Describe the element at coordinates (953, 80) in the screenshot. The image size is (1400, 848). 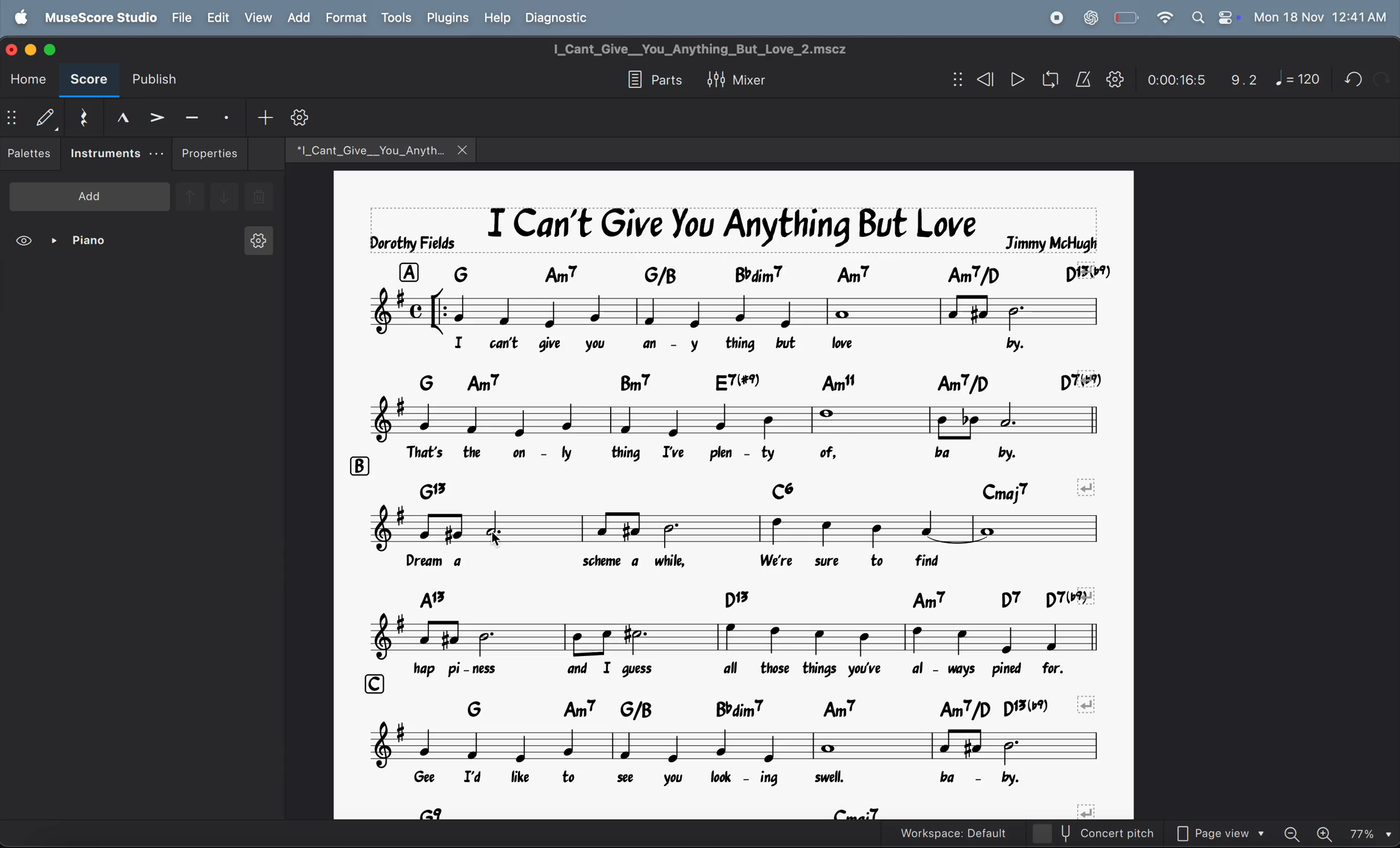
I see `show/hide` at that location.